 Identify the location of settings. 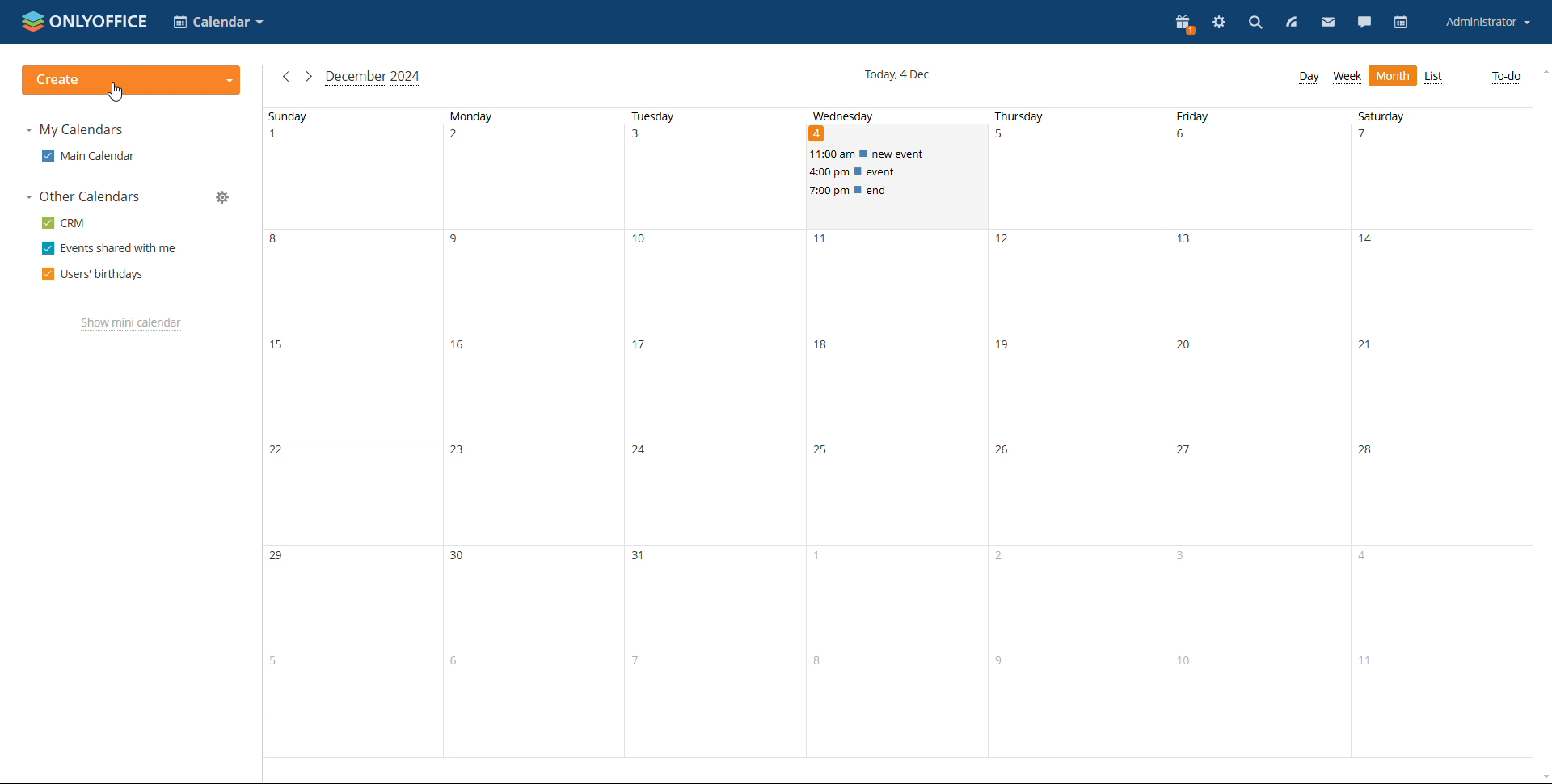
(1217, 25).